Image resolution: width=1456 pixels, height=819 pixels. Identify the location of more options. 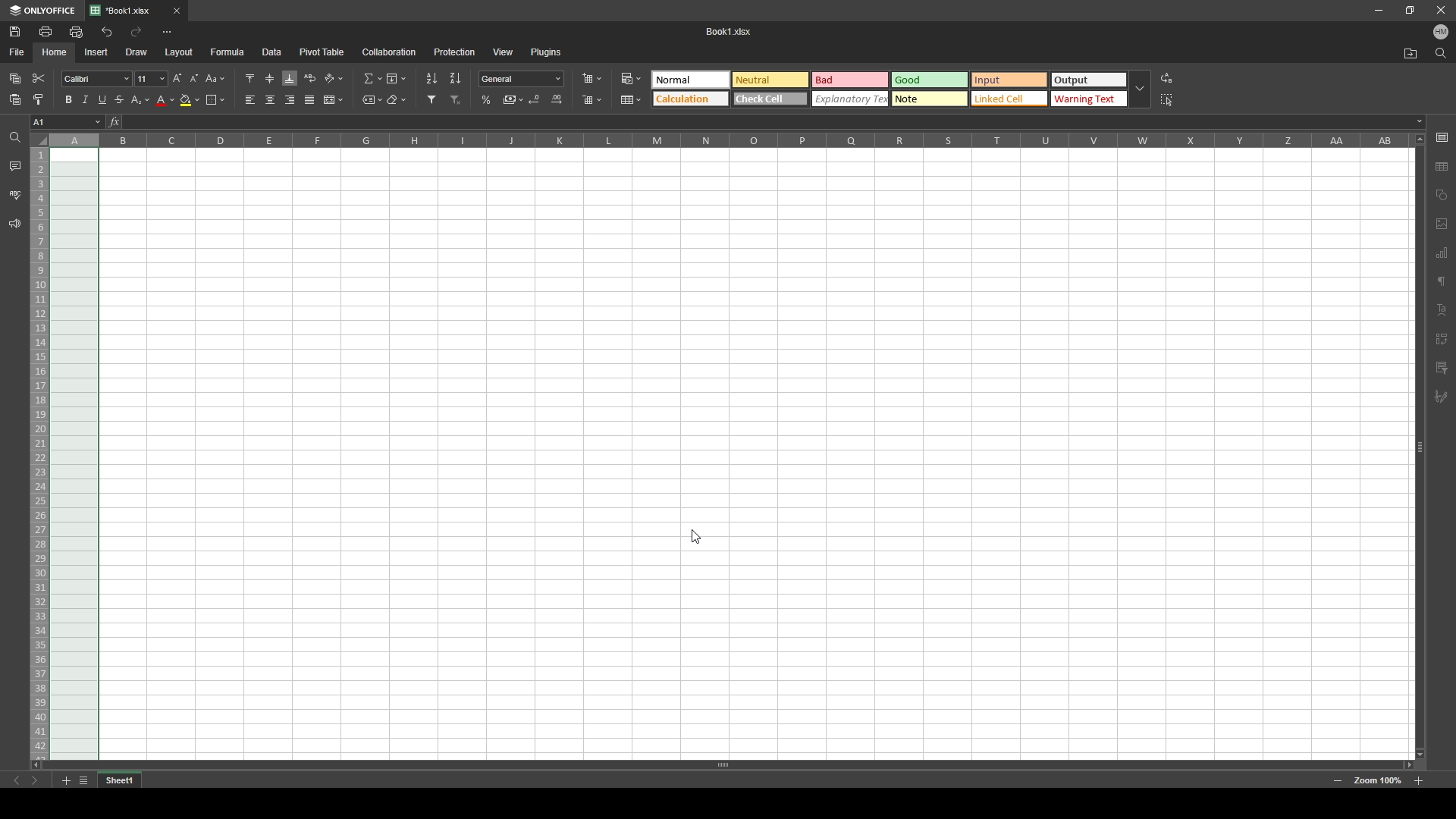
(167, 32).